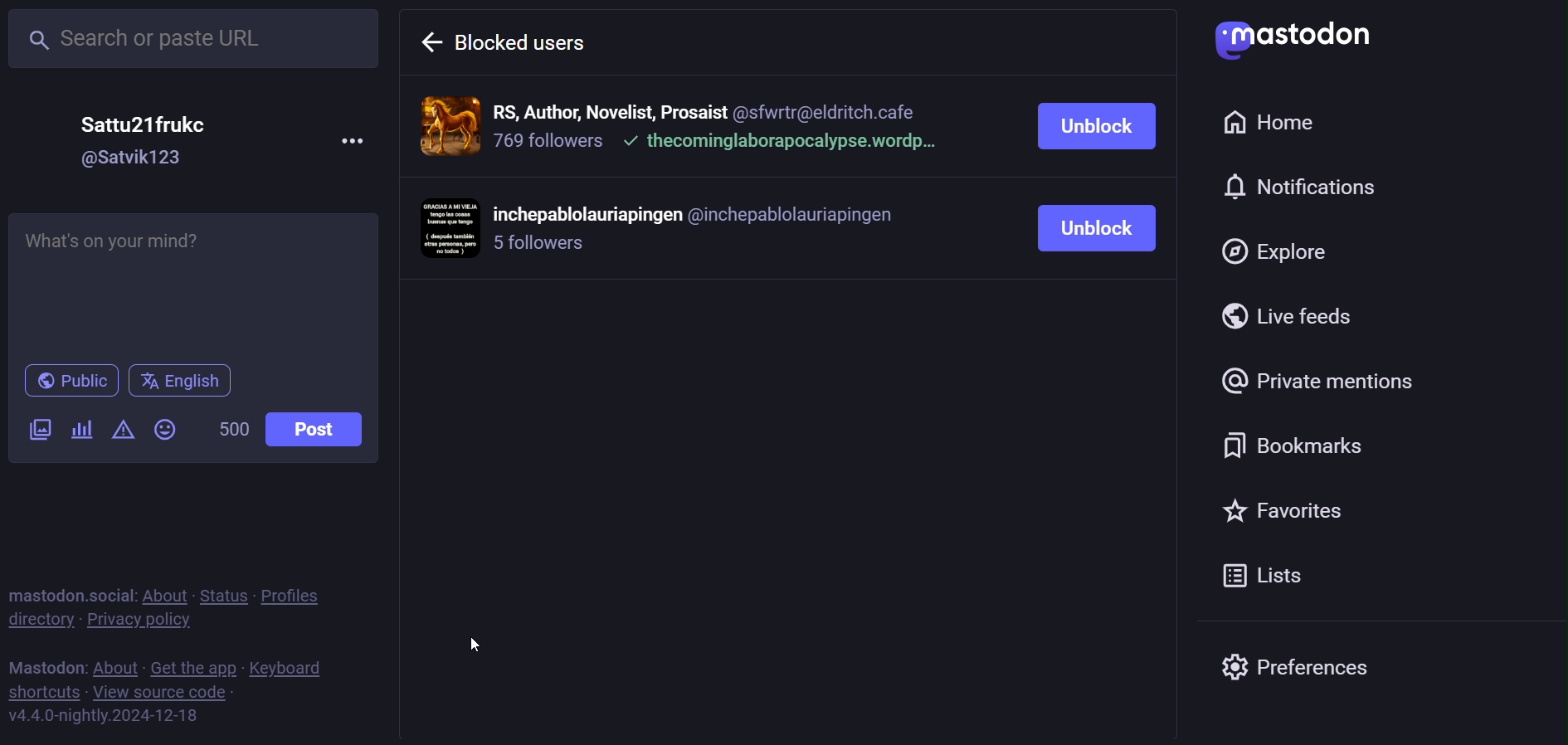 Image resolution: width=1568 pixels, height=745 pixels. What do you see at coordinates (299, 665) in the screenshot?
I see `keyboards` at bounding box center [299, 665].